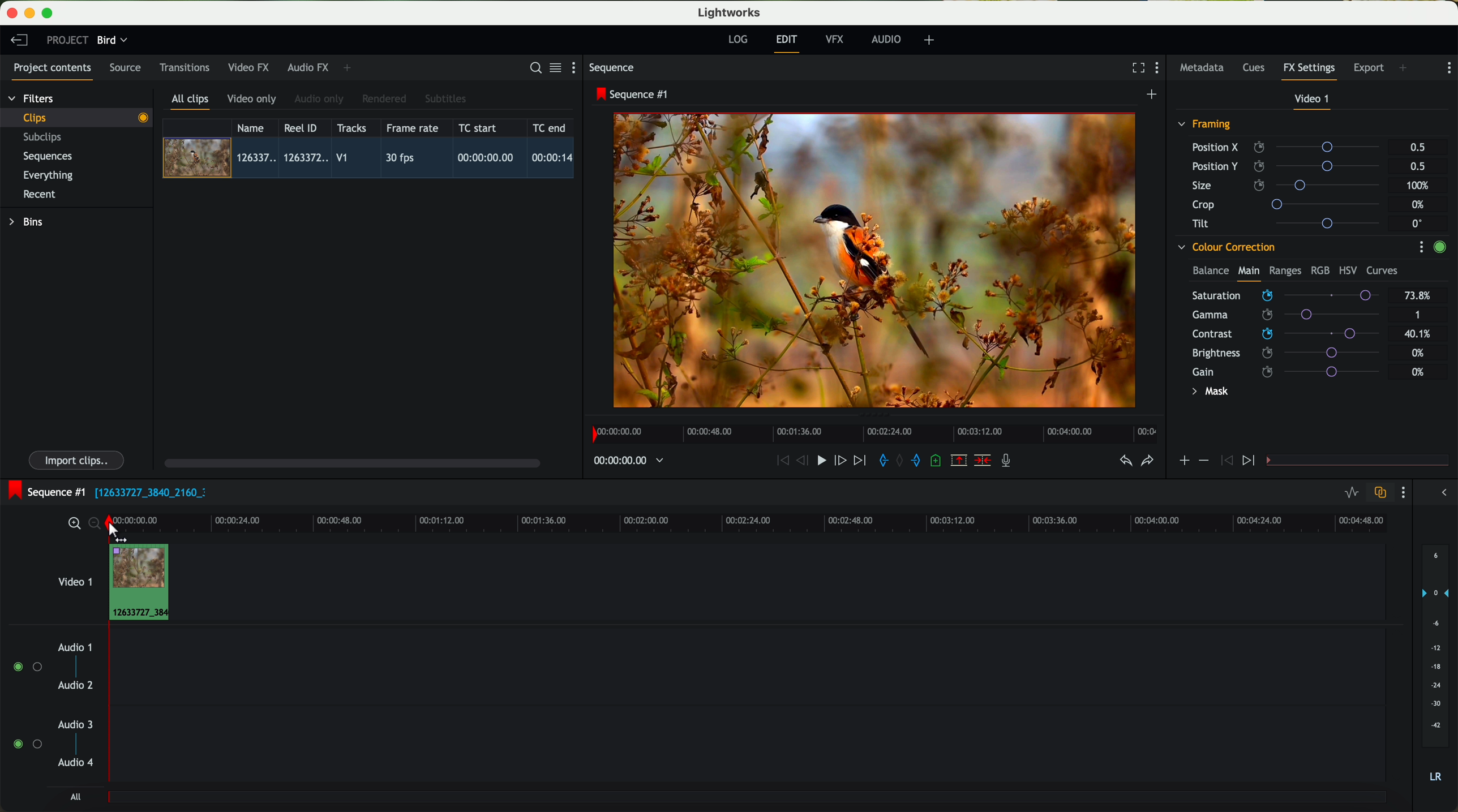  Describe the element at coordinates (1125, 461) in the screenshot. I see `undo` at that location.